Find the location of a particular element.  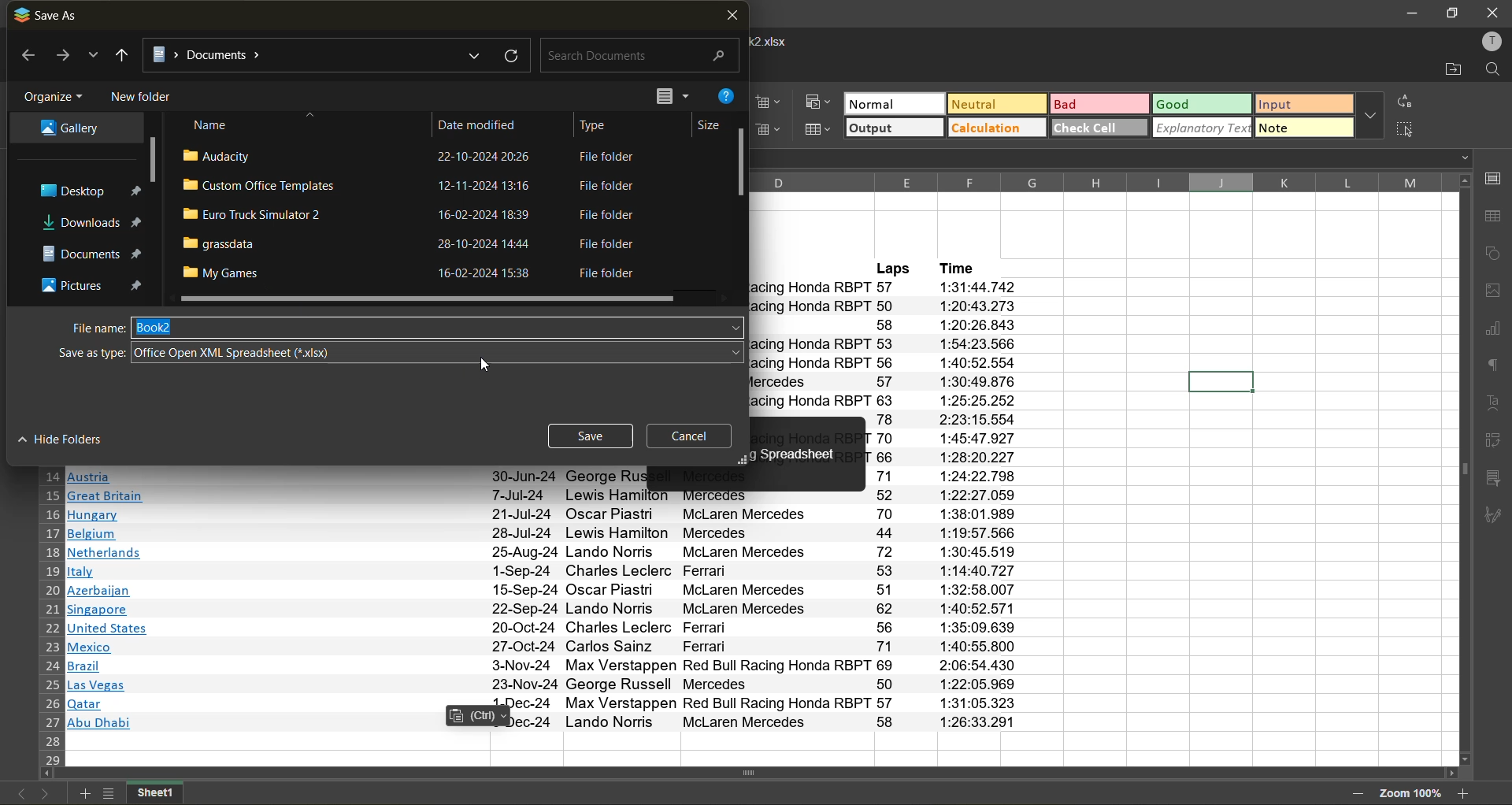

open location is located at coordinates (1446, 68).